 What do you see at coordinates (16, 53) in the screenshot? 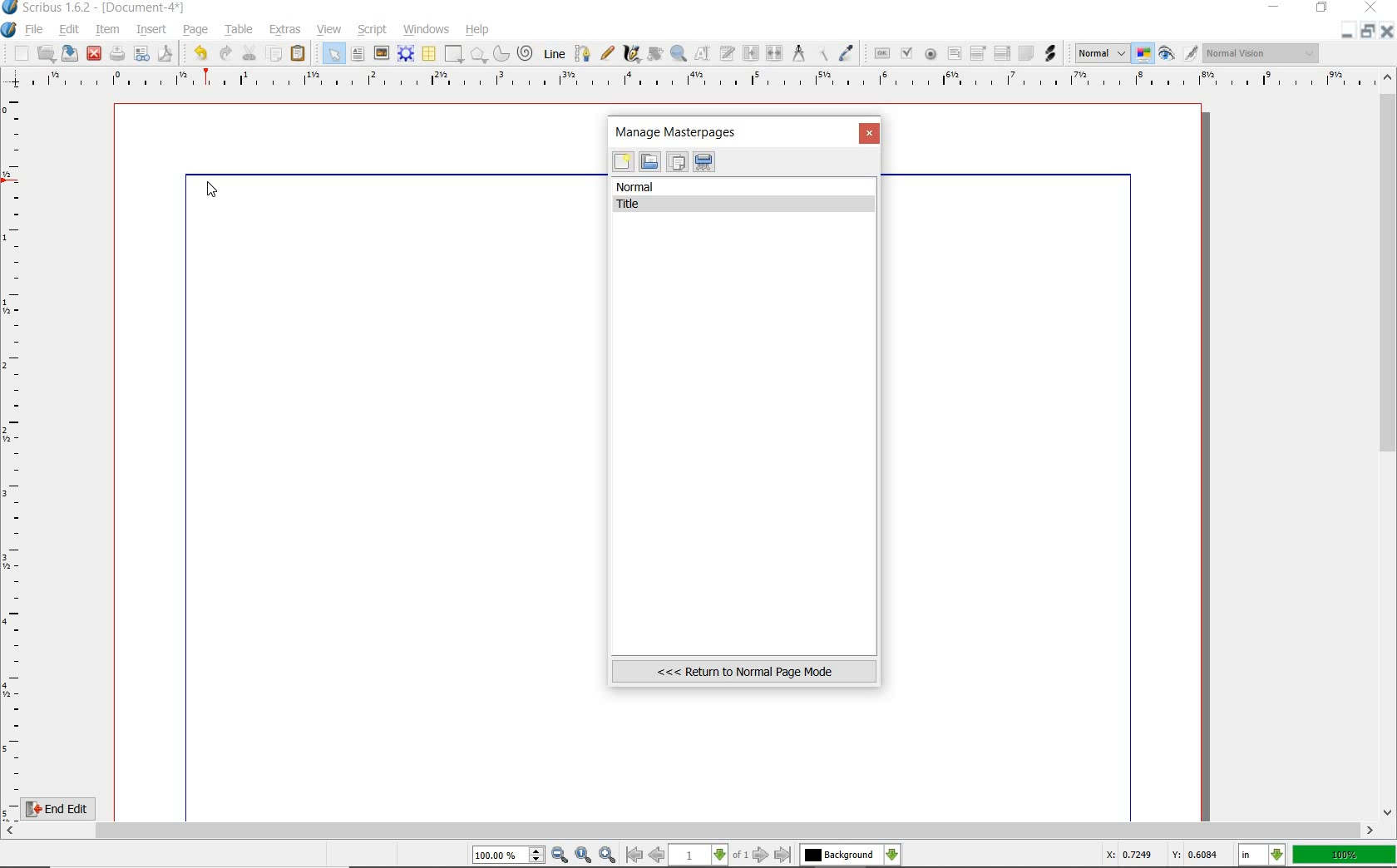
I see `new` at bounding box center [16, 53].